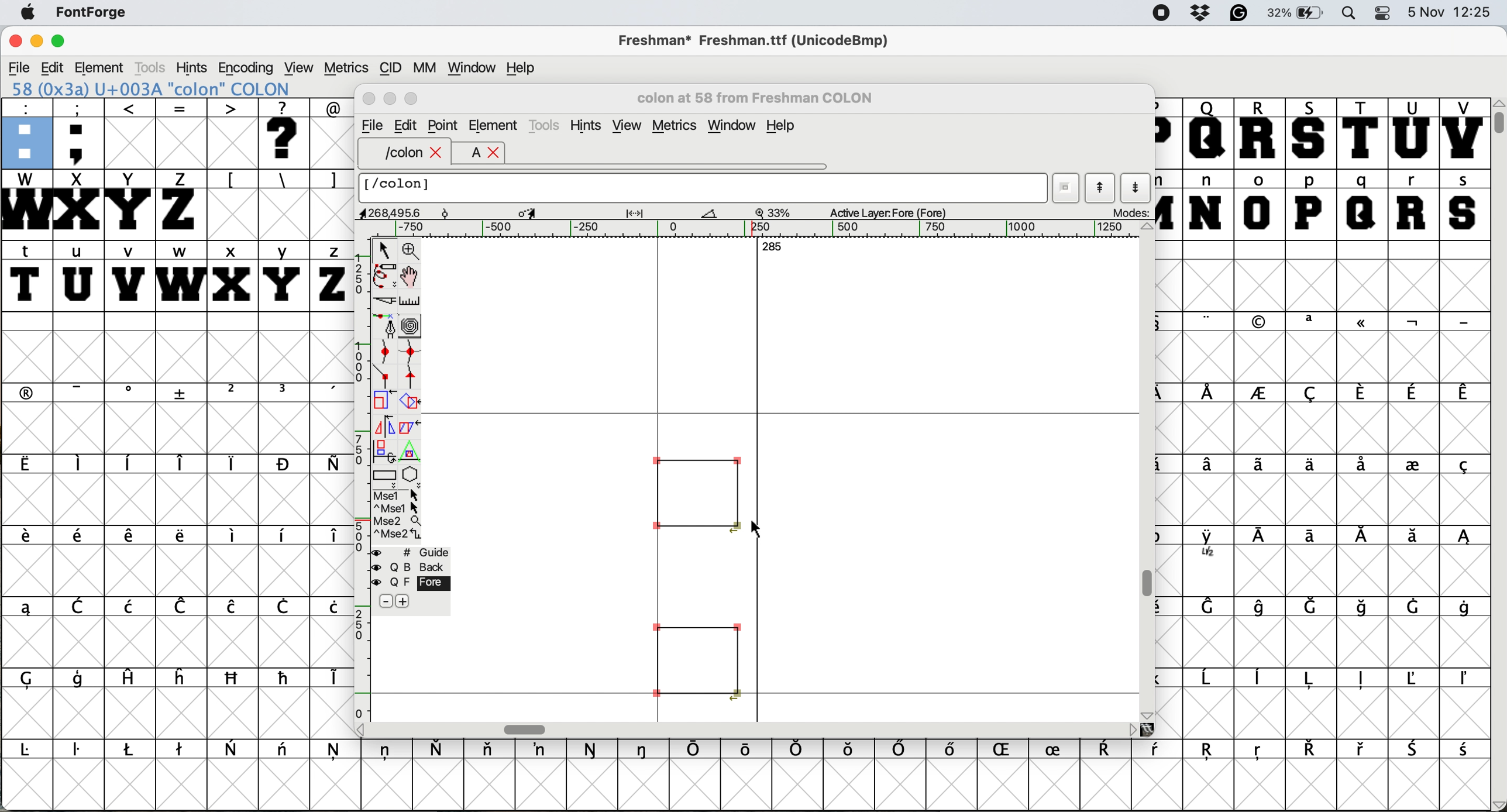  I want to click on symbol, so click(81, 465).